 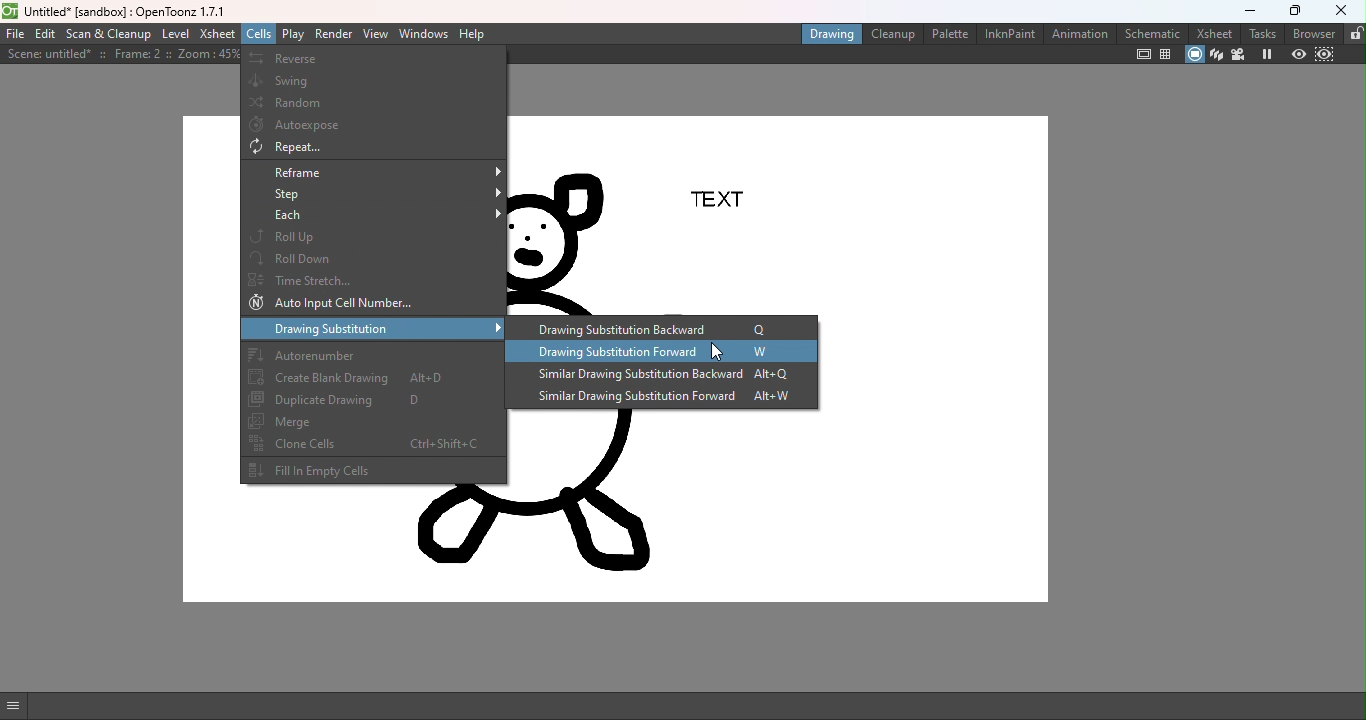 What do you see at coordinates (1266, 54) in the screenshot?
I see `Freeze` at bounding box center [1266, 54].